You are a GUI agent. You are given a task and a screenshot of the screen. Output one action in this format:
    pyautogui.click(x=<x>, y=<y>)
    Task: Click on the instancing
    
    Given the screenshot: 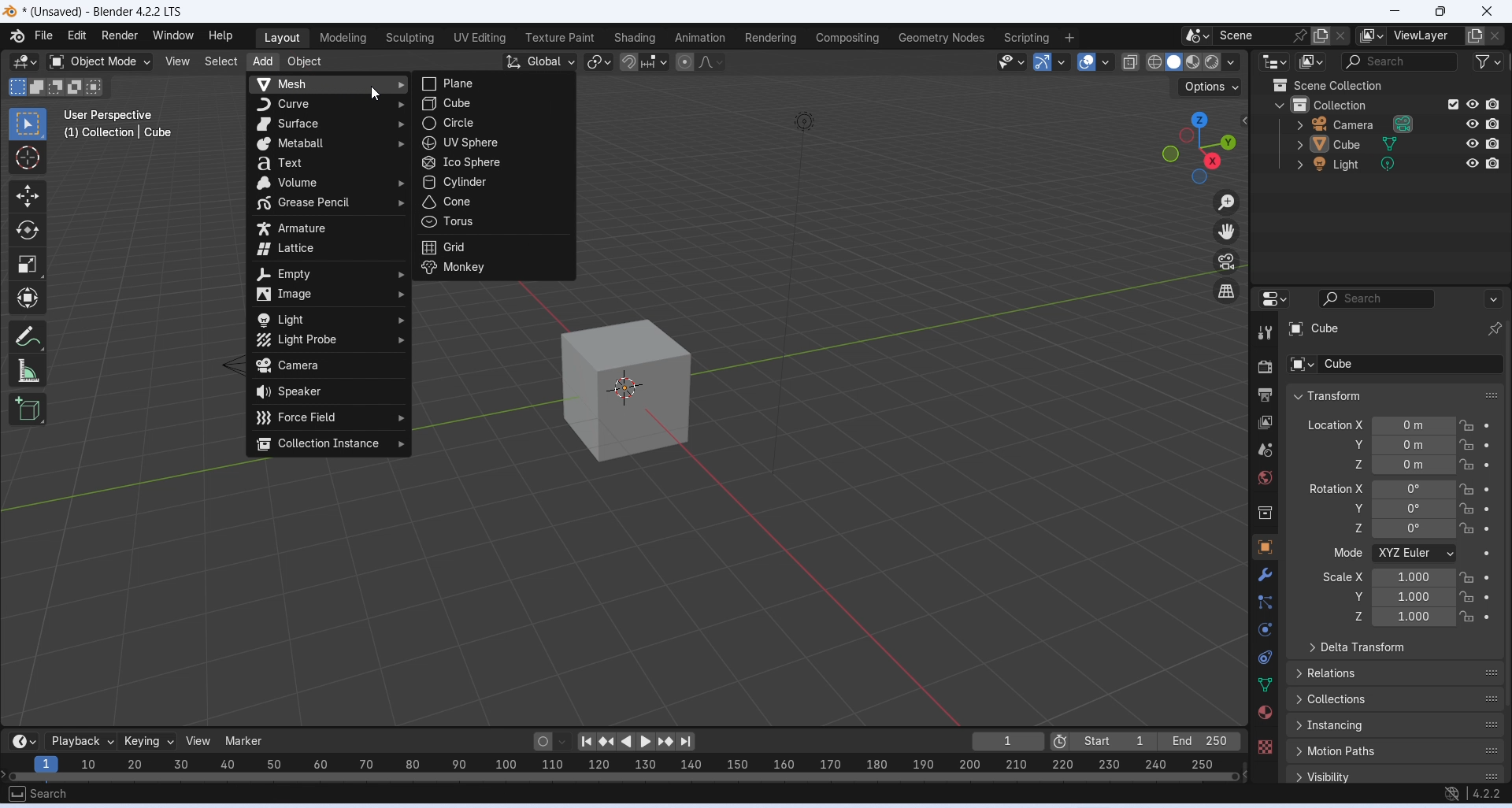 What is the action you would take?
    pyautogui.click(x=1396, y=725)
    